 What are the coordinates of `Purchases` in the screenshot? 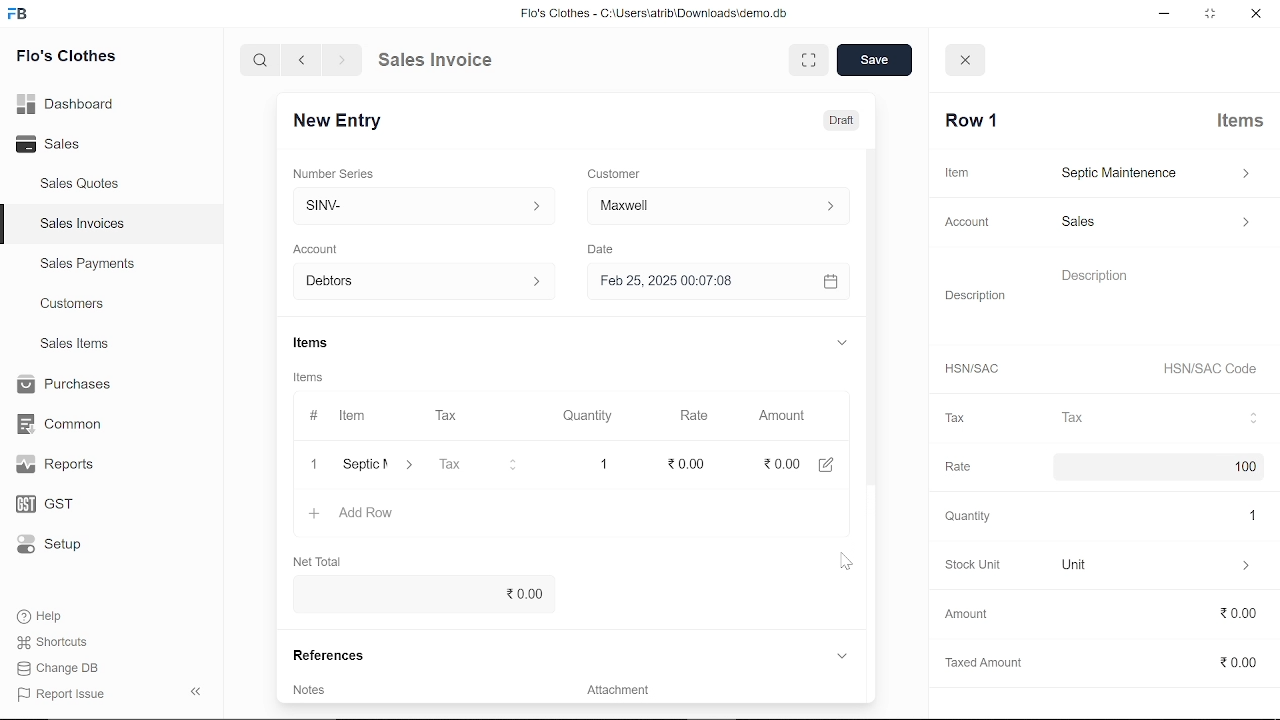 It's located at (67, 386).